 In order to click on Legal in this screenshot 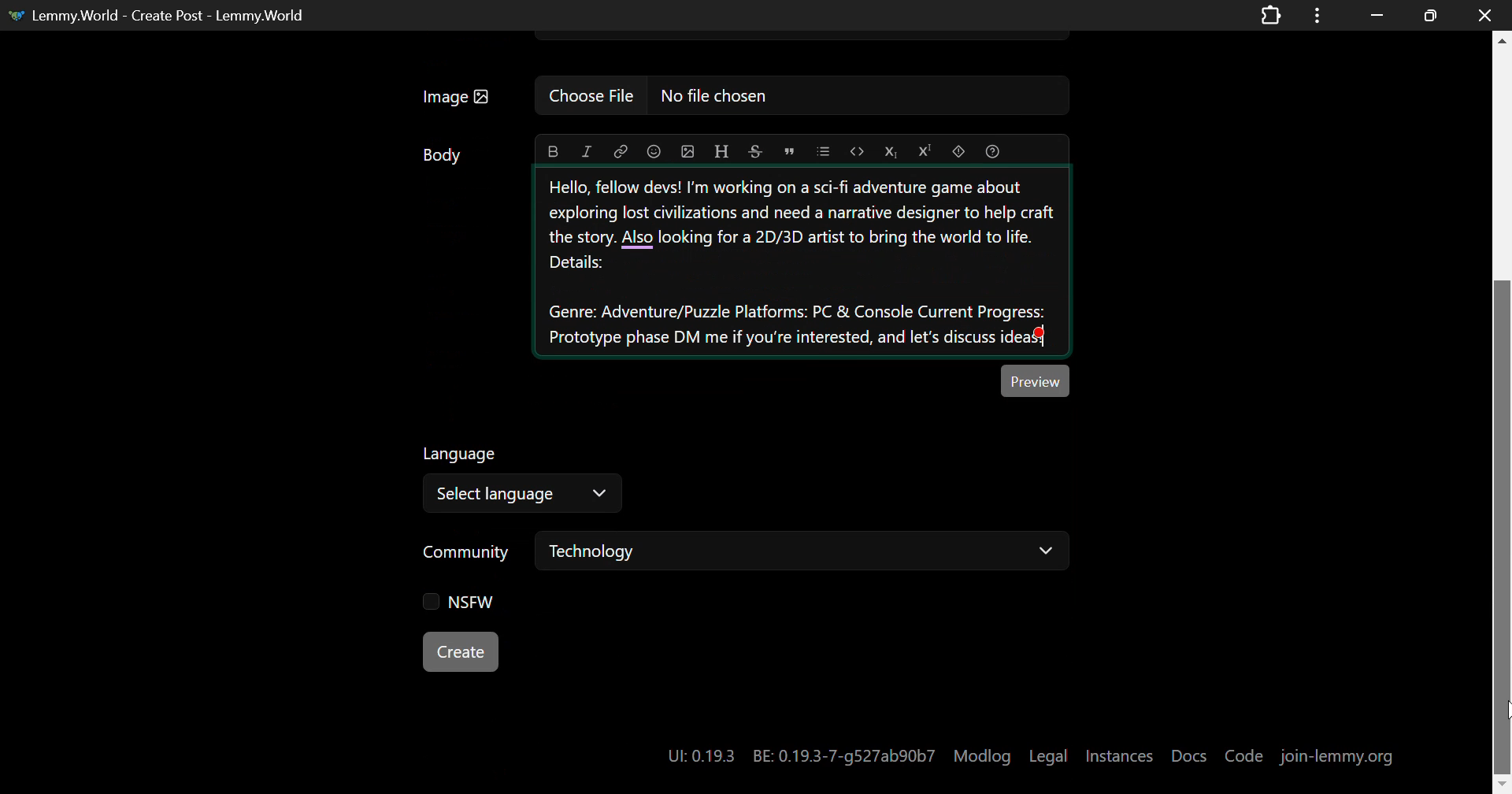, I will do `click(1051, 752)`.